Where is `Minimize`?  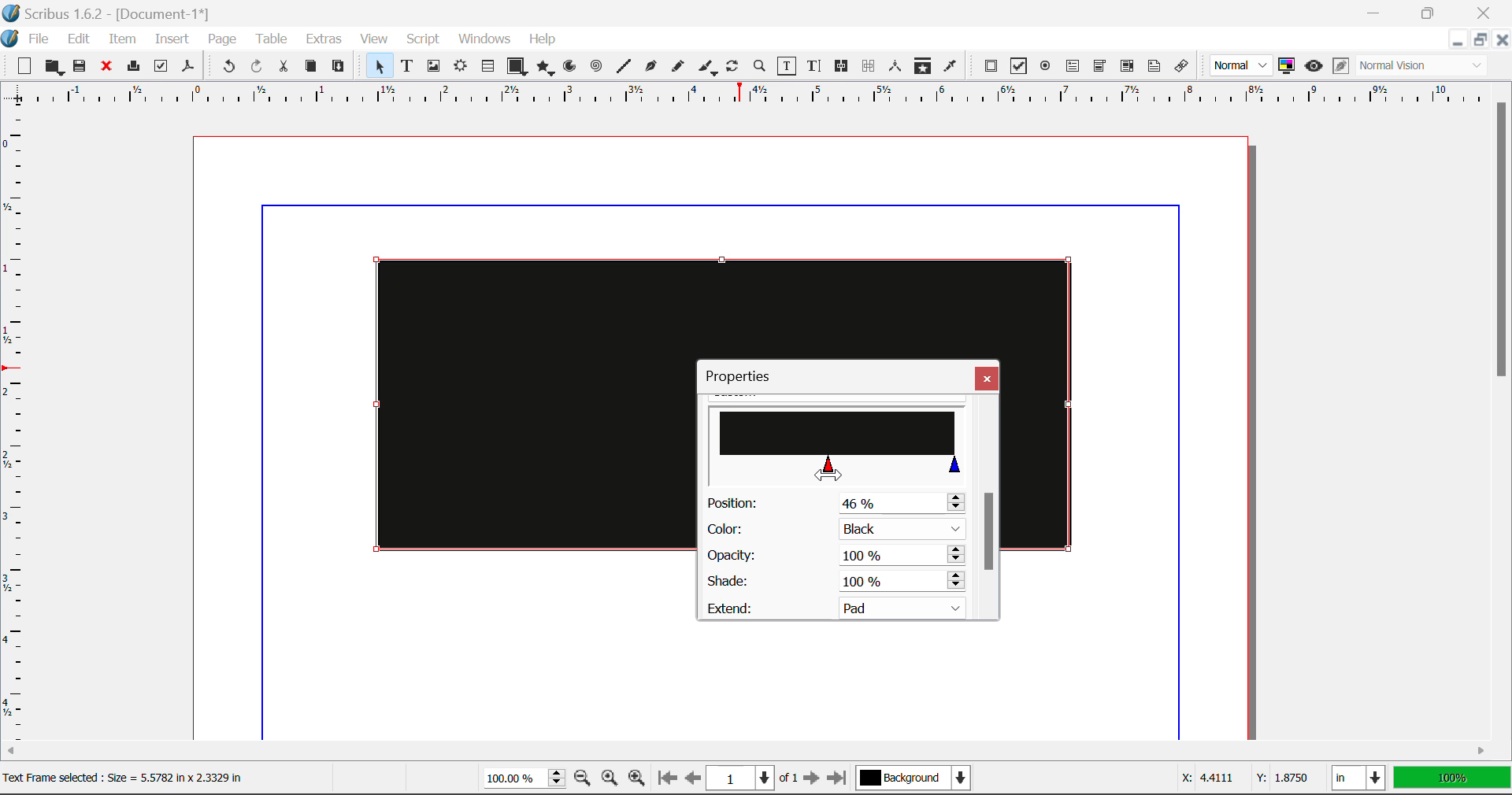 Minimize is located at coordinates (1478, 39).